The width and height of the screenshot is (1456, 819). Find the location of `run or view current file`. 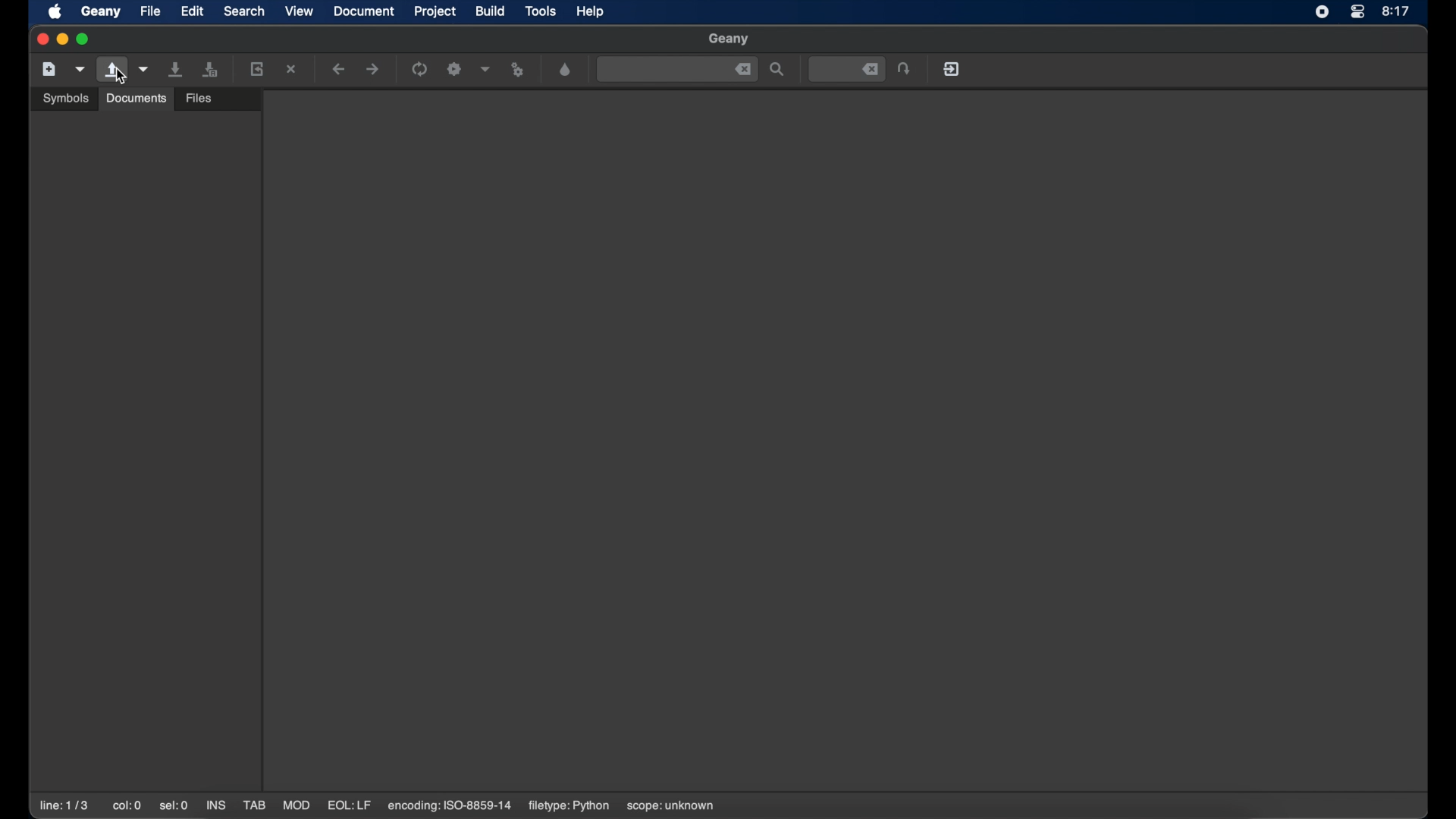

run or view current file is located at coordinates (519, 70).